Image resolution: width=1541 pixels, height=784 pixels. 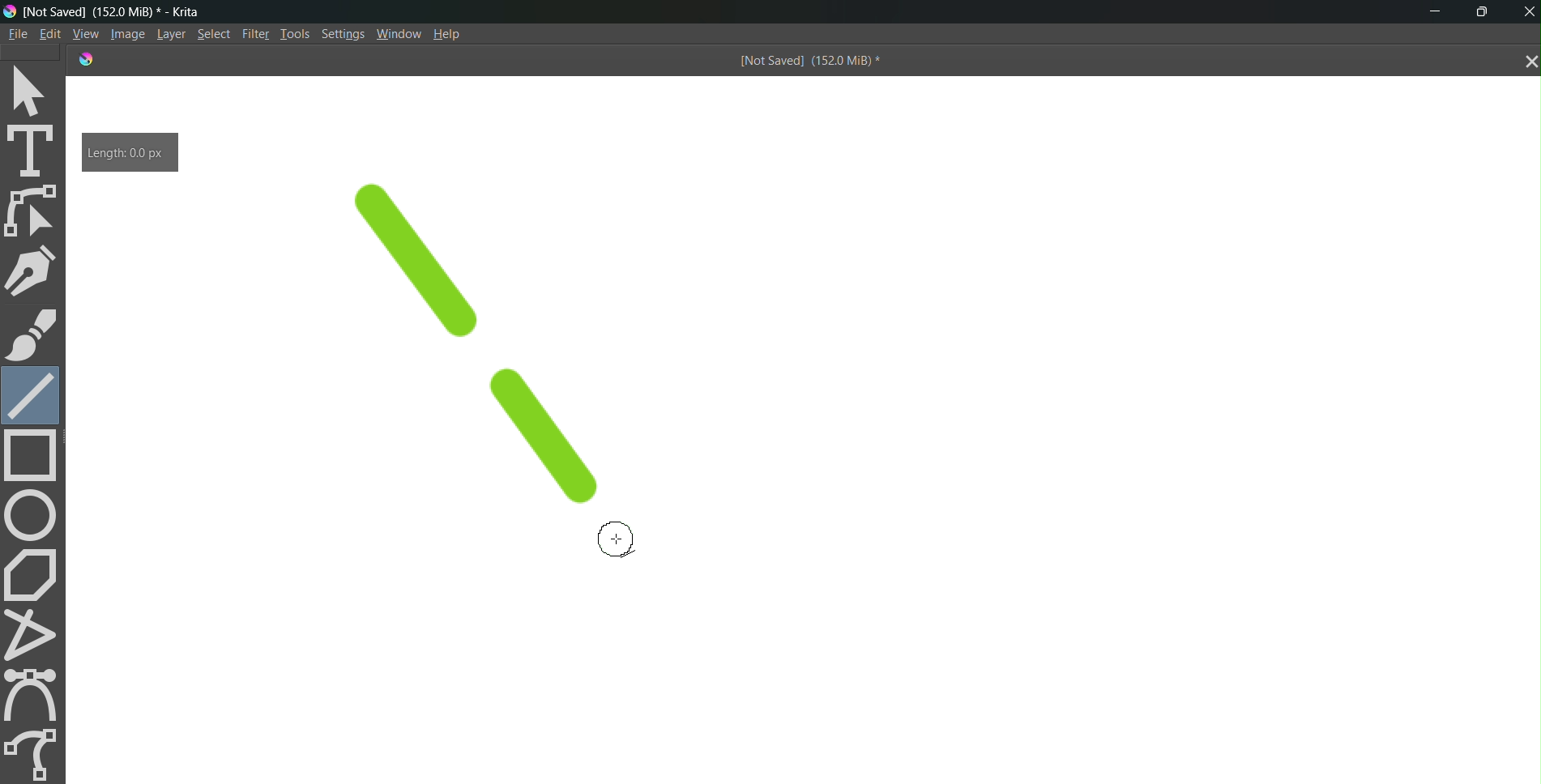 What do you see at coordinates (83, 58) in the screenshot?
I see `logo` at bounding box center [83, 58].